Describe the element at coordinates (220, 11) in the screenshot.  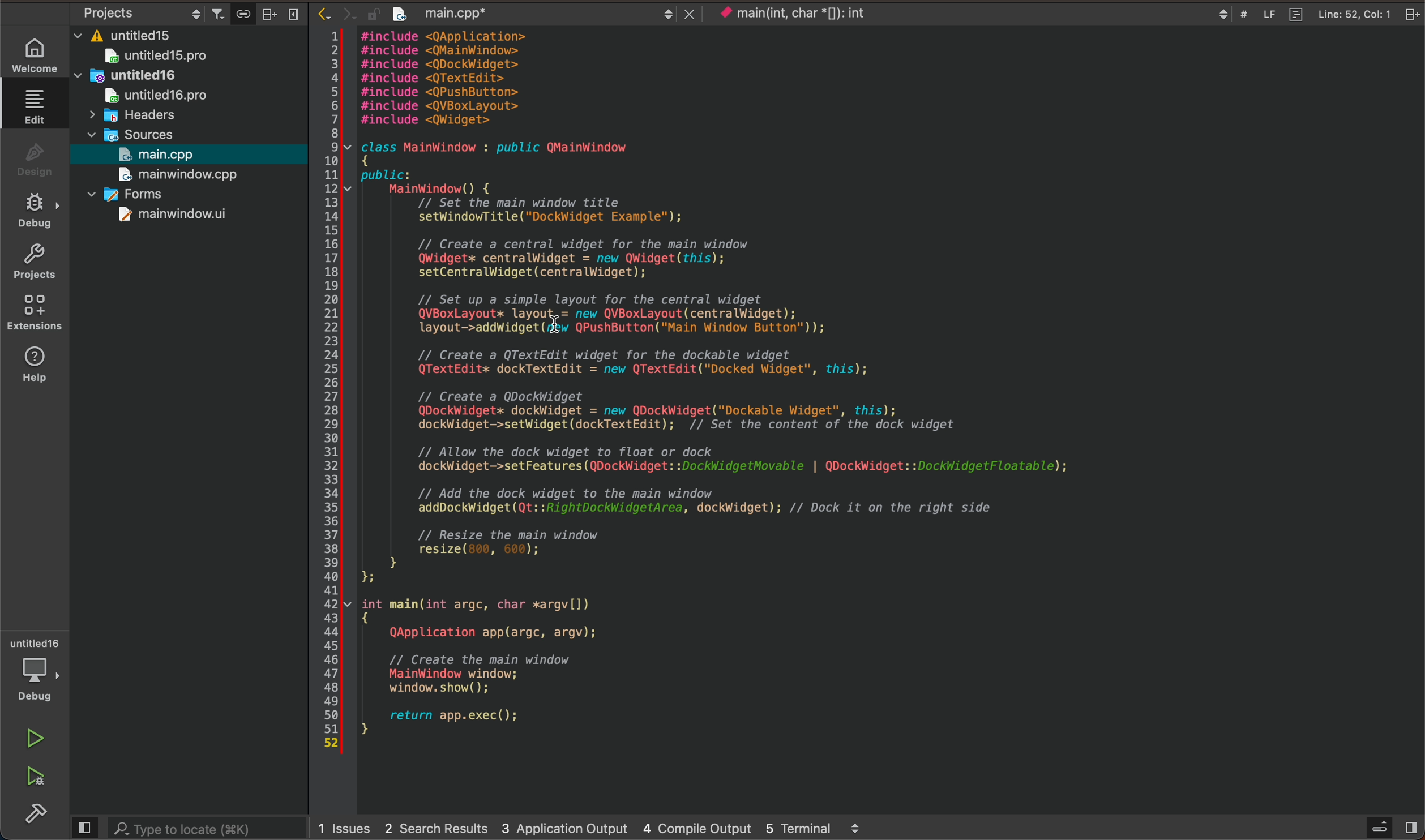
I see `filter` at that location.